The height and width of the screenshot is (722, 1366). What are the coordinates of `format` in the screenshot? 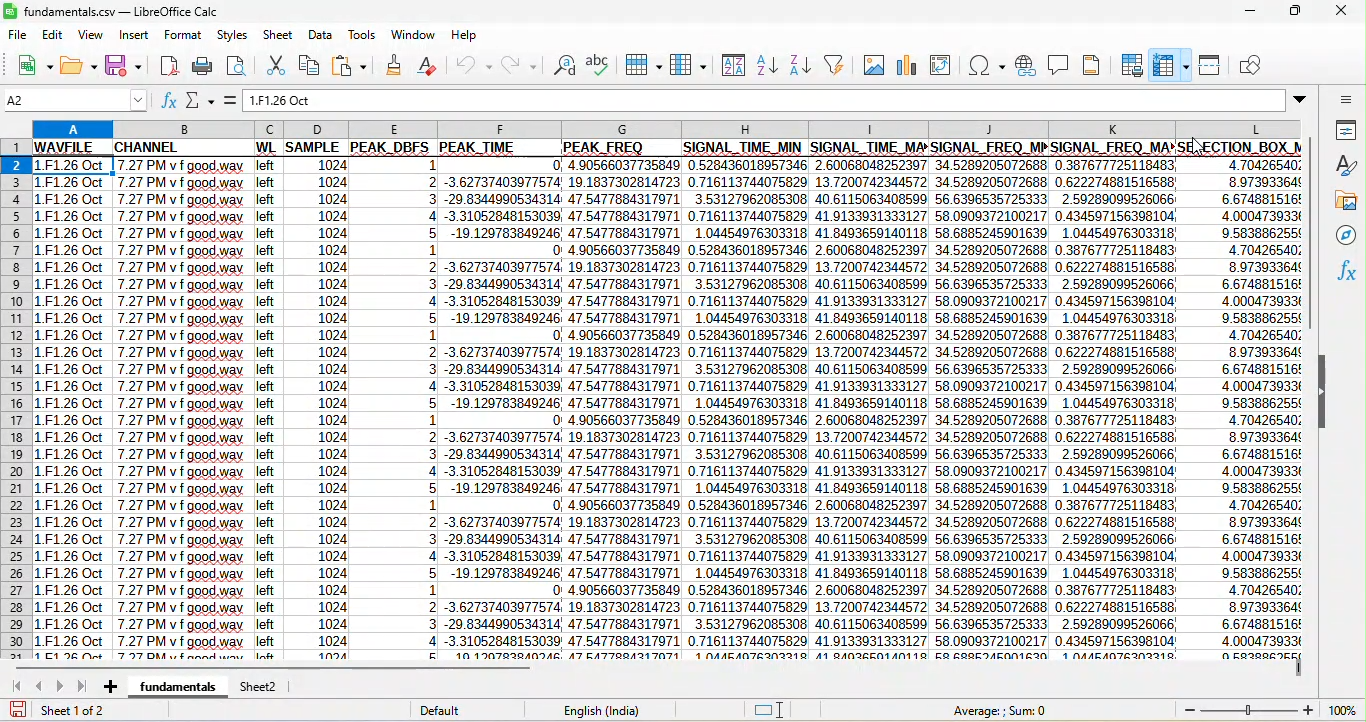 It's located at (182, 36).